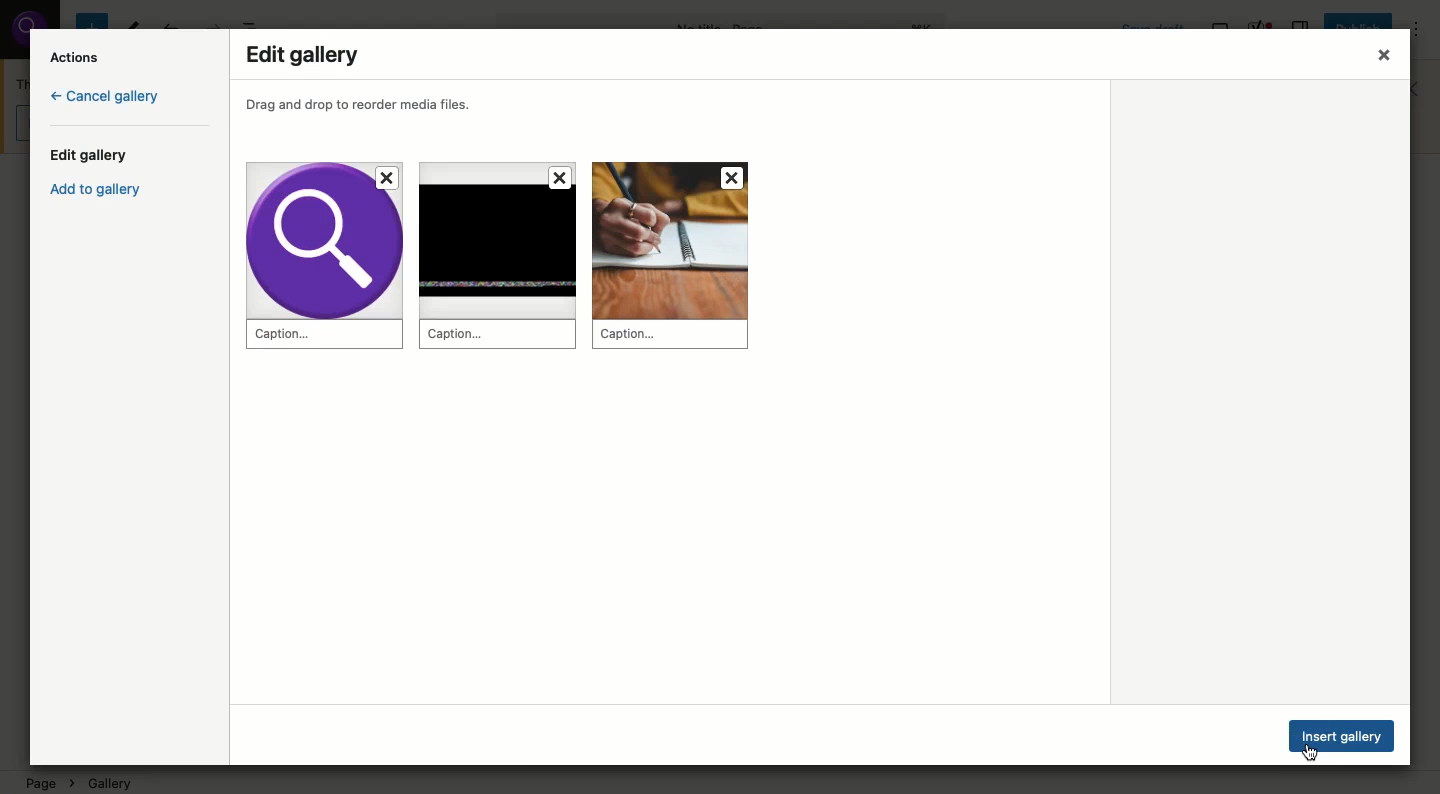 This screenshot has width=1440, height=794. Describe the element at coordinates (370, 105) in the screenshot. I see `Drag and drop` at that location.